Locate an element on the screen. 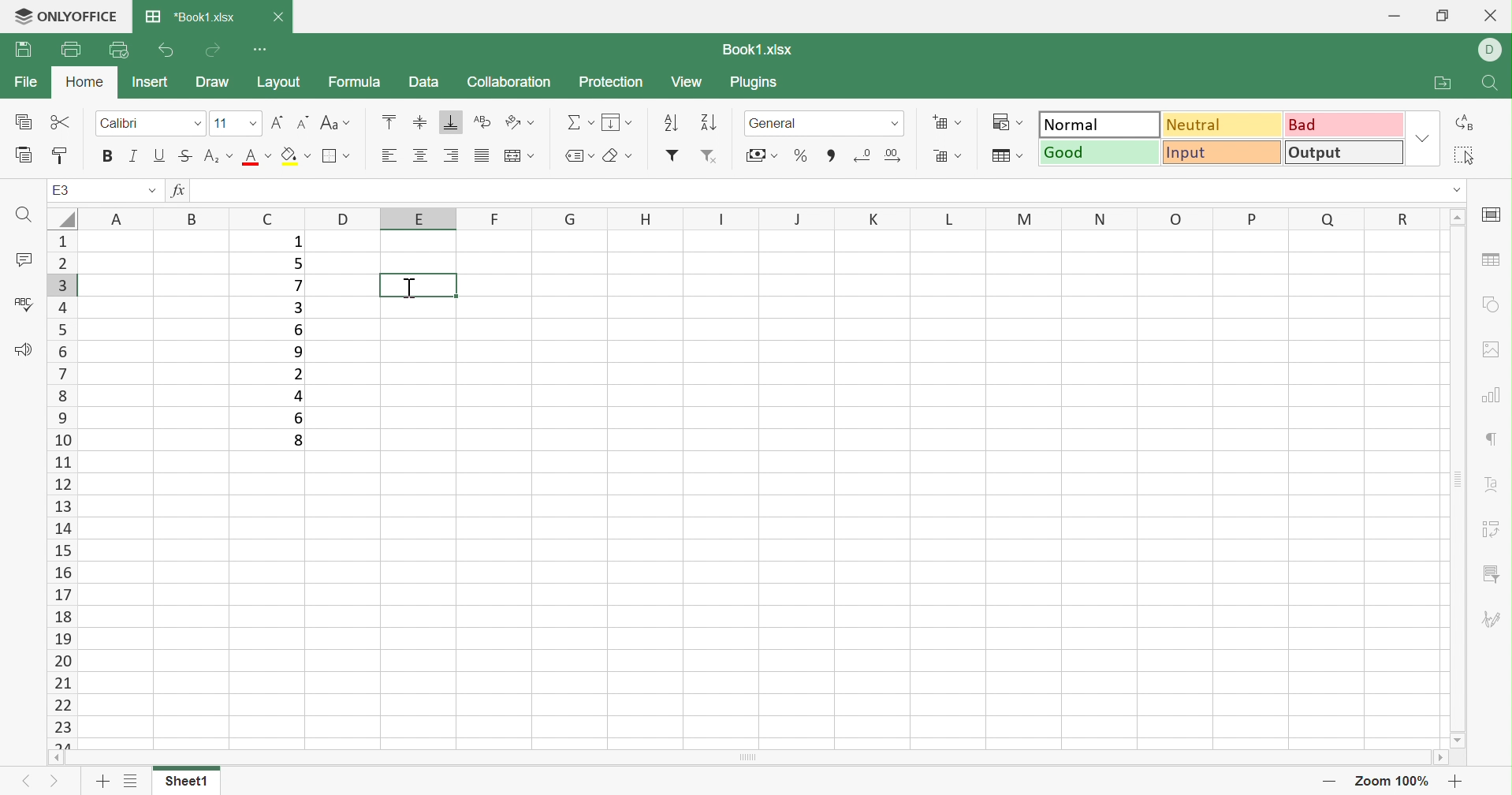 This screenshot has width=1512, height=795. Align Bottom is located at coordinates (453, 125).